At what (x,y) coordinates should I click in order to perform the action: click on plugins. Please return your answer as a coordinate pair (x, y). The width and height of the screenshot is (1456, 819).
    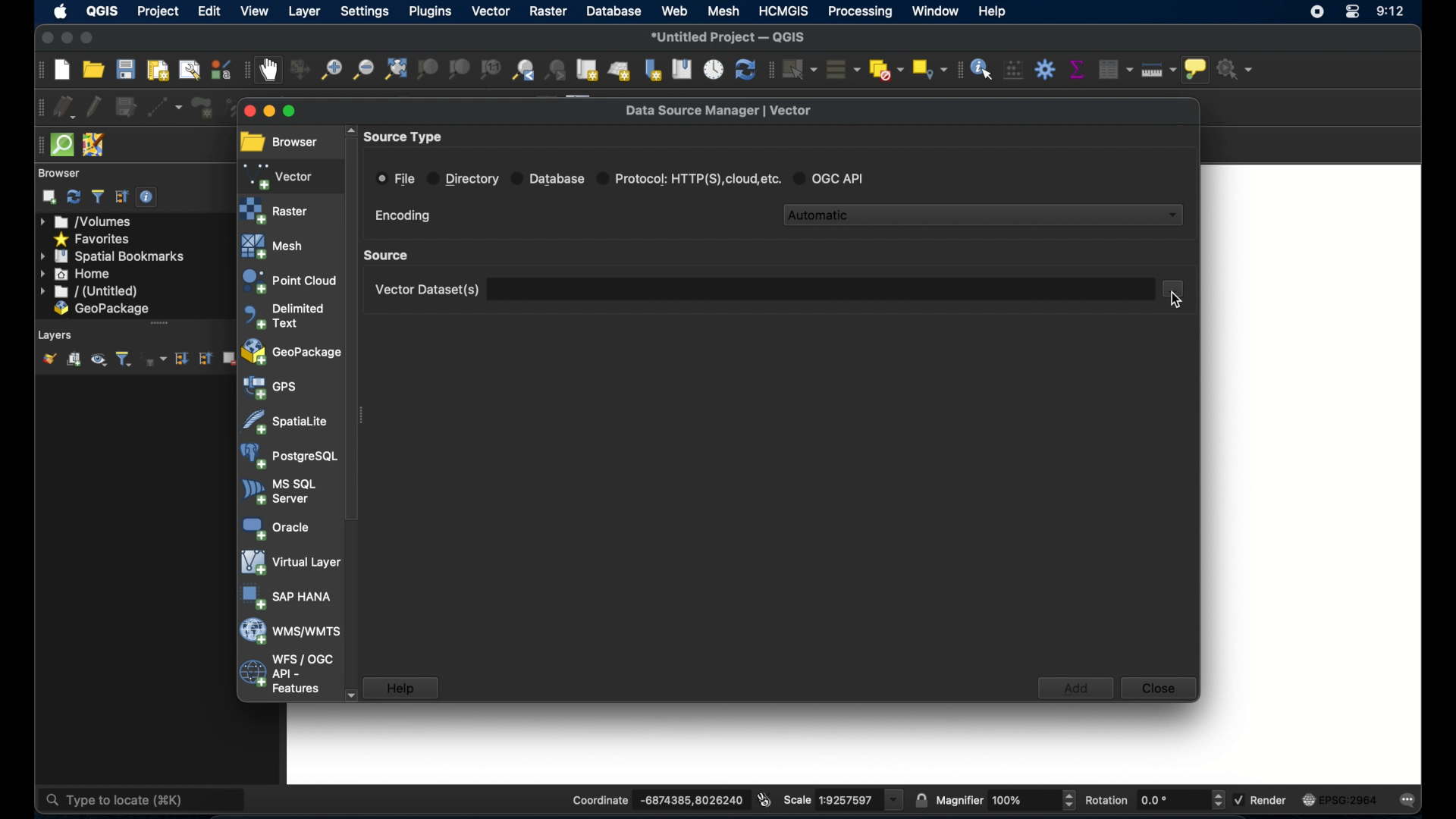
    Looking at the image, I should click on (430, 11).